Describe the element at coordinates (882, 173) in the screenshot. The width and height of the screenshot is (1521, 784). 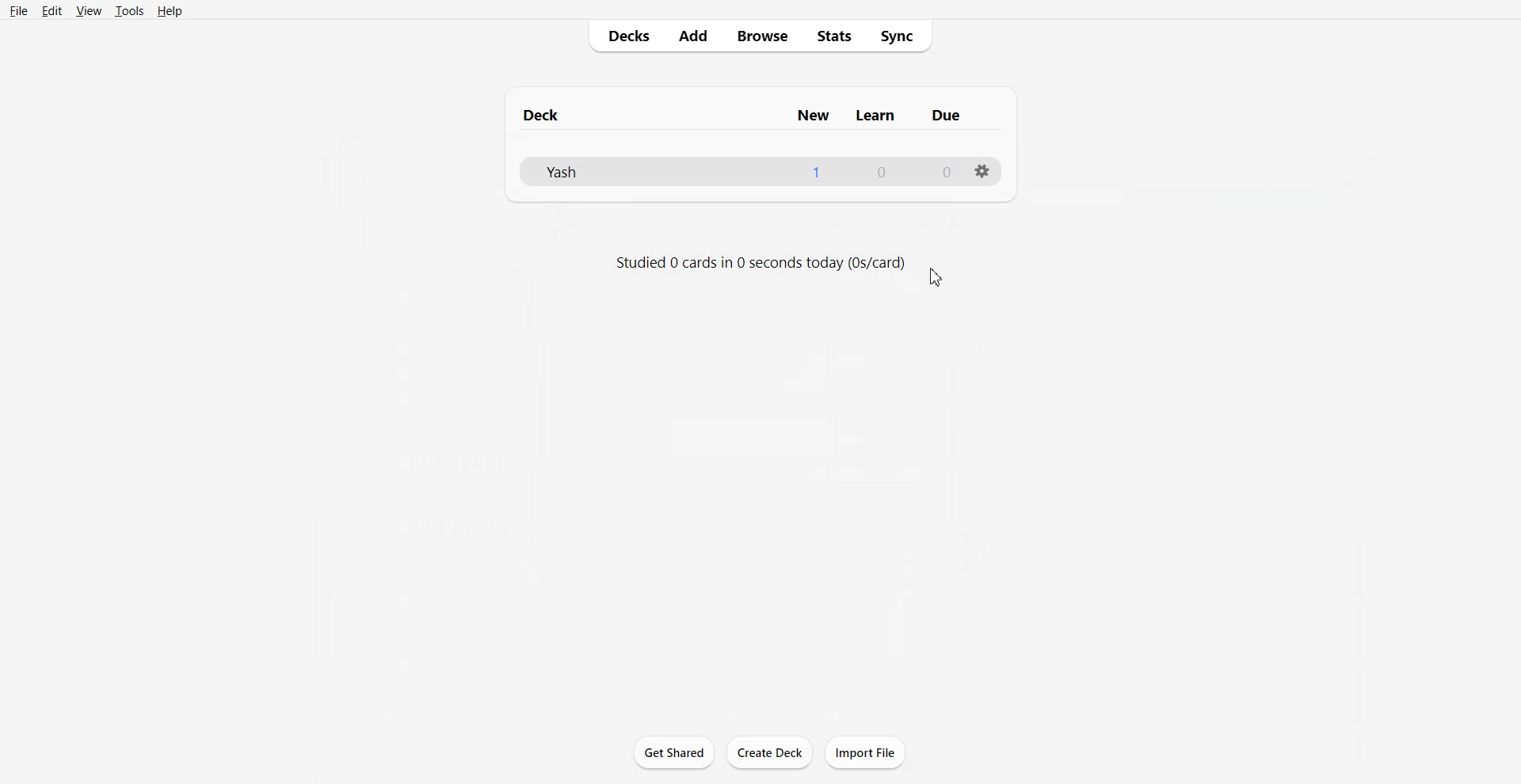
I see `Text` at that location.